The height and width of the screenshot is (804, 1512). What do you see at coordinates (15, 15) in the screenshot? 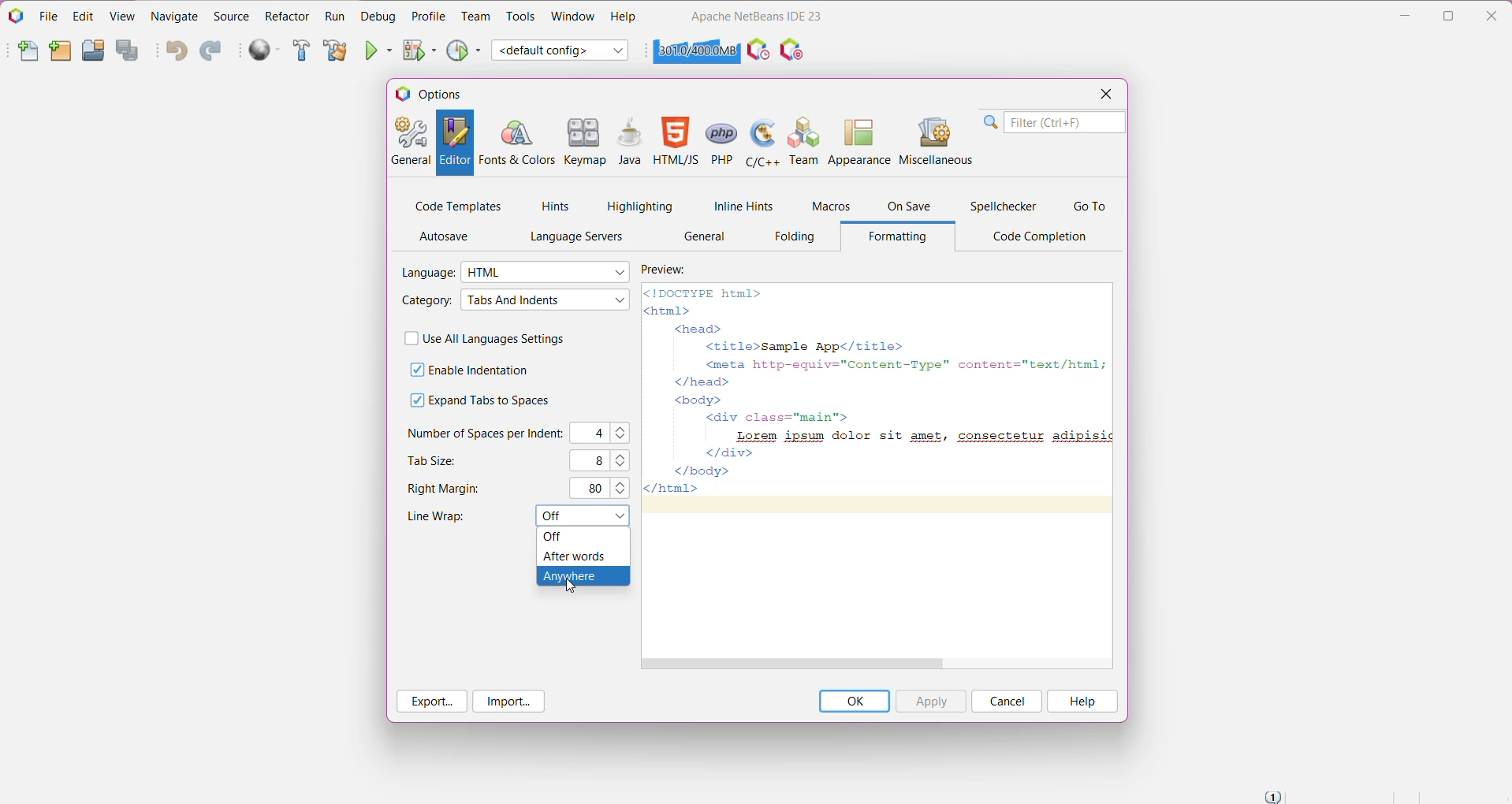
I see `Application Logo` at bounding box center [15, 15].